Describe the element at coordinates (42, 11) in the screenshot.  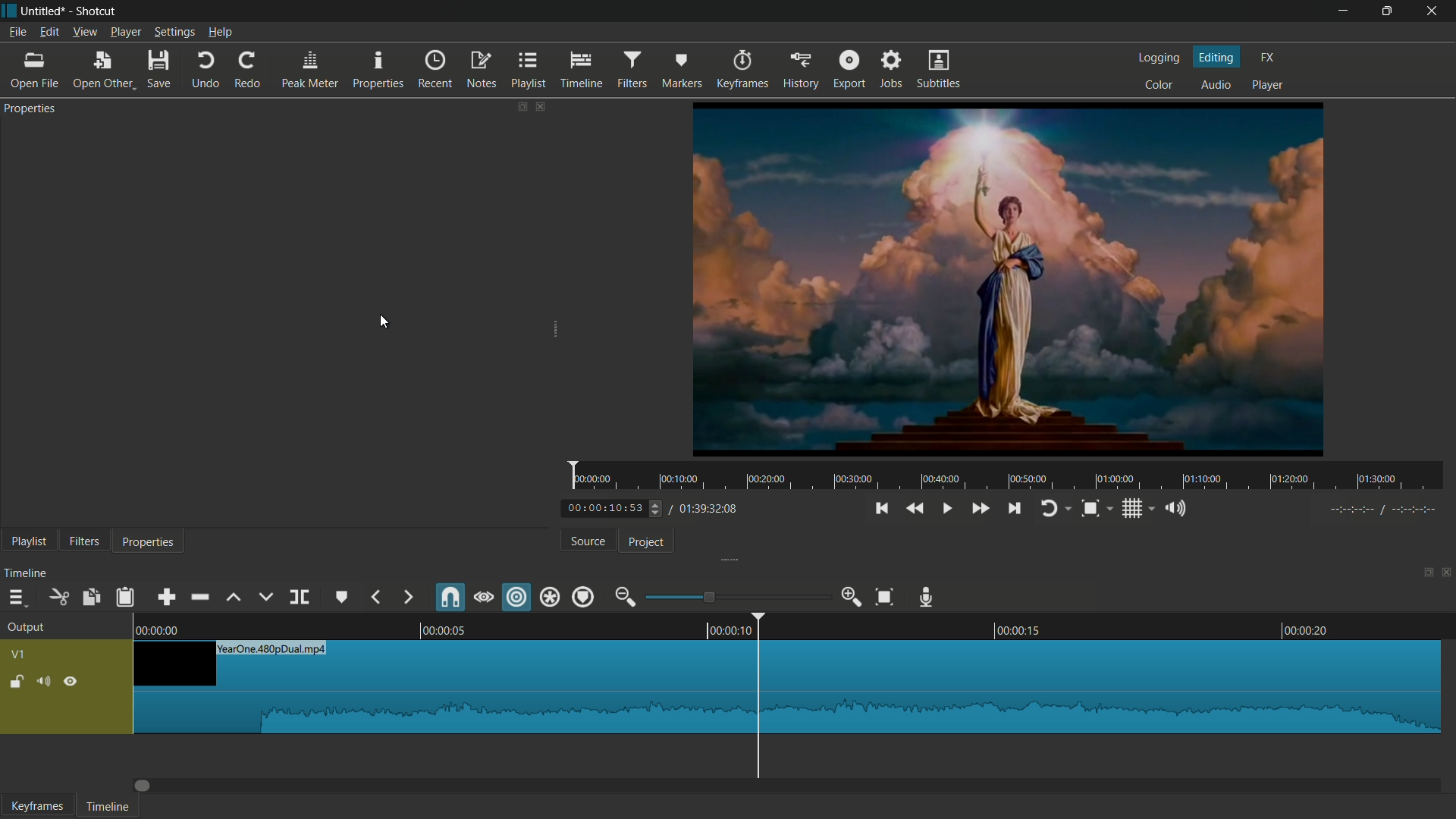
I see `project name` at that location.